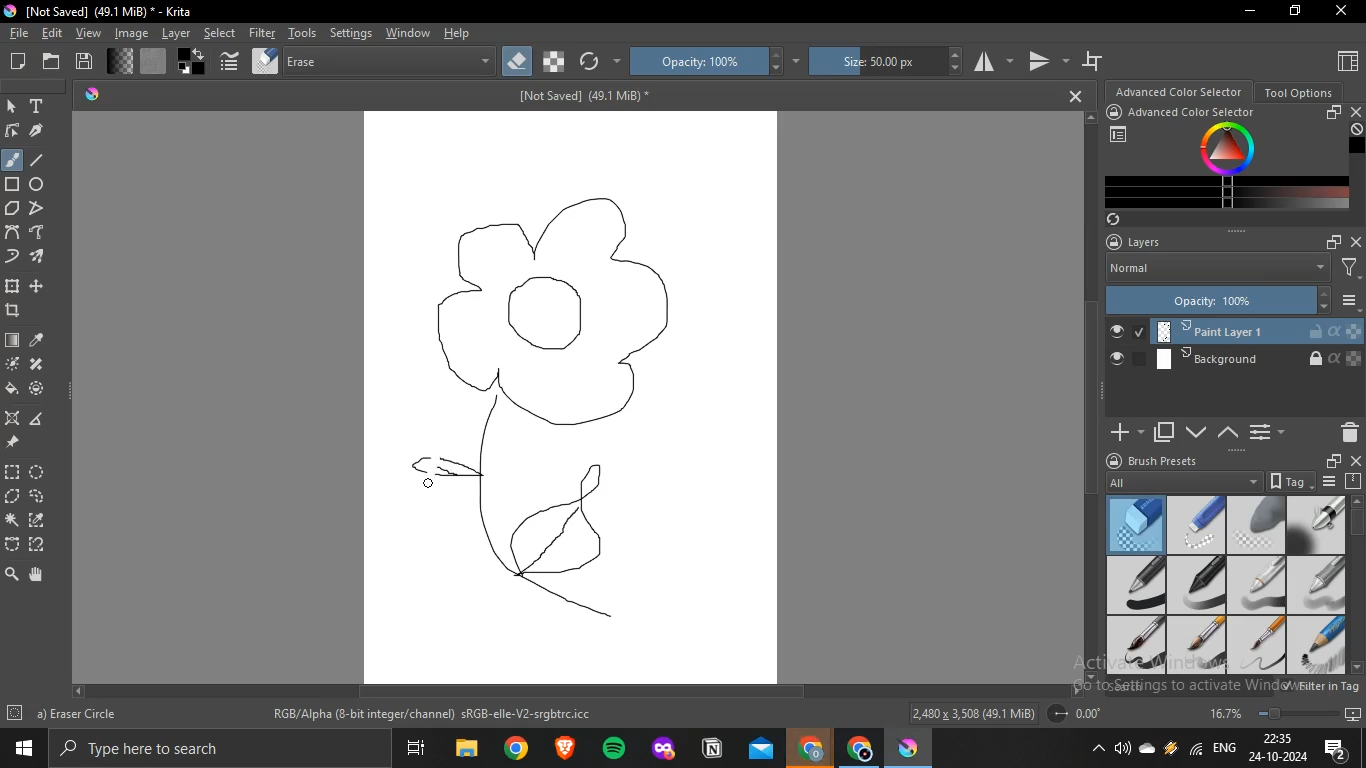 This screenshot has height=768, width=1366. What do you see at coordinates (1342, 10) in the screenshot?
I see `Close` at bounding box center [1342, 10].